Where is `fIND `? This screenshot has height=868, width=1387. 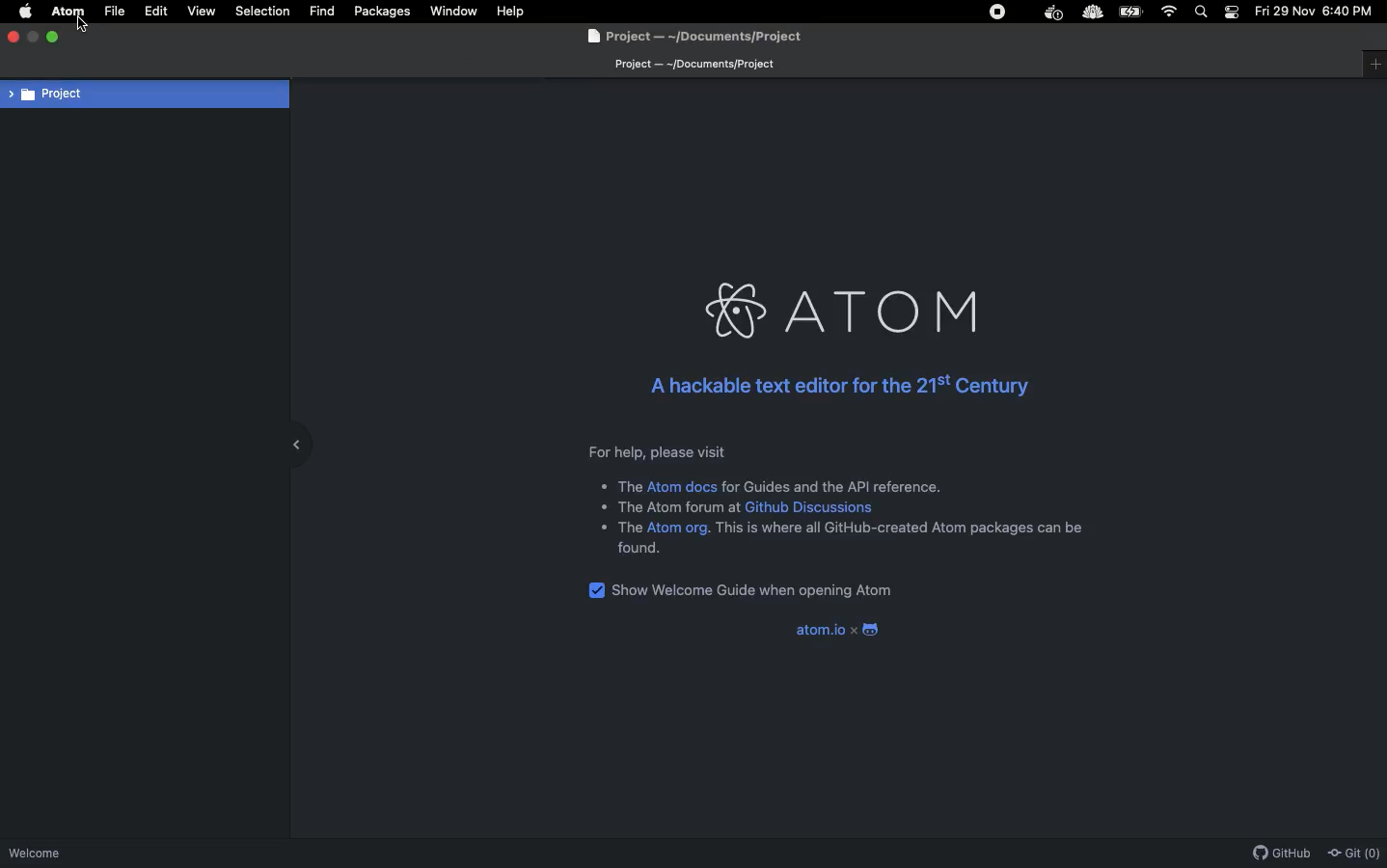
fIND  is located at coordinates (321, 11).